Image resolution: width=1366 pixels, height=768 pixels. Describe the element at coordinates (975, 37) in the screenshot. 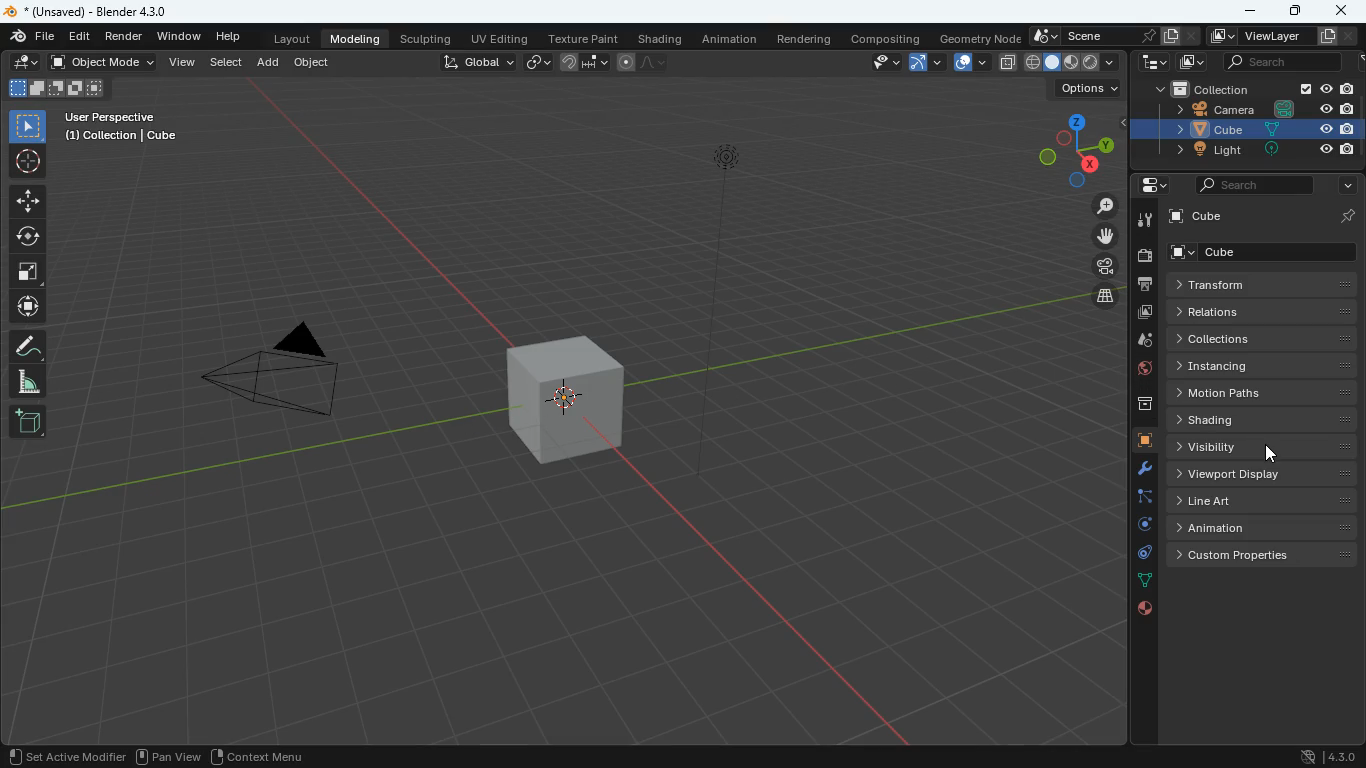

I see `geometry node` at that location.